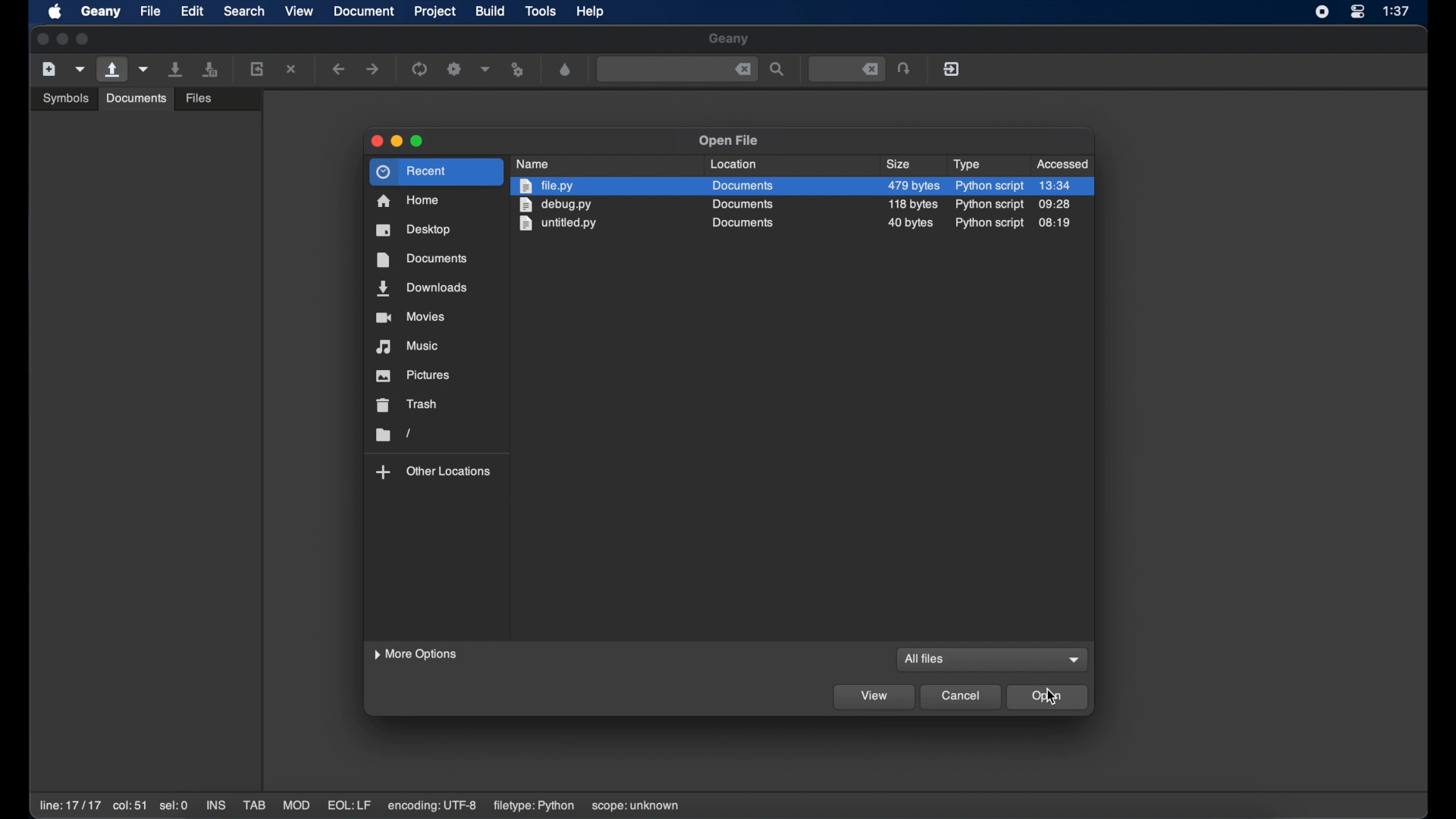  What do you see at coordinates (41, 39) in the screenshot?
I see `close` at bounding box center [41, 39].